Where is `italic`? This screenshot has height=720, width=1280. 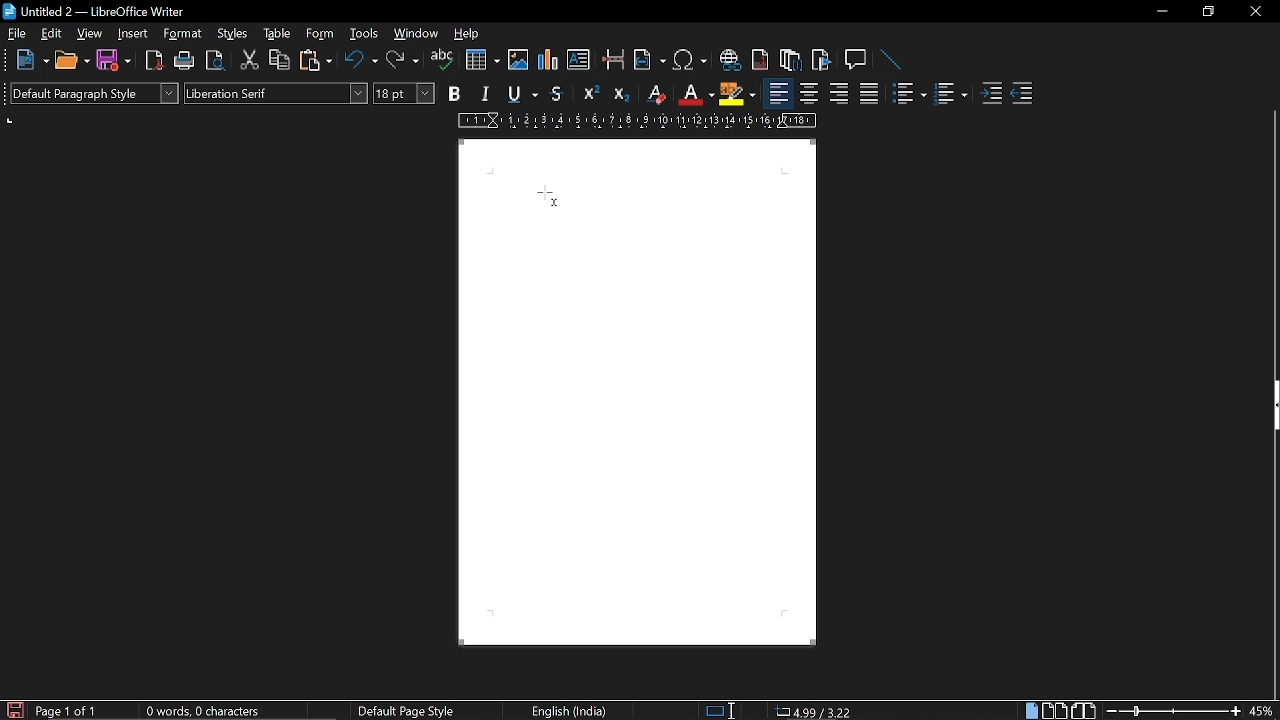 italic is located at coordinates (482, 95).